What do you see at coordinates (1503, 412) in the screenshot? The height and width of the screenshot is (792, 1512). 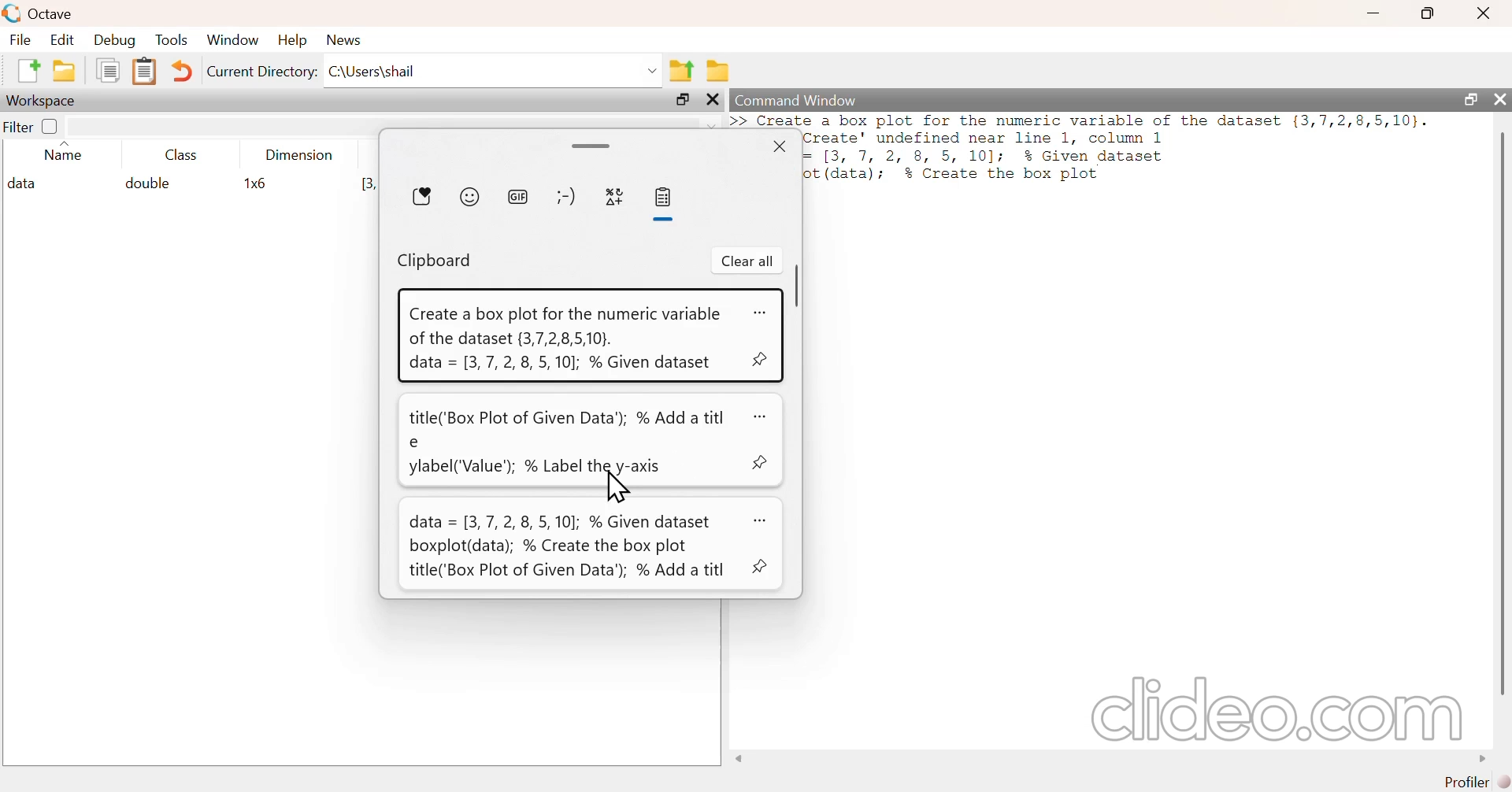 I see `scrollbar` at bounding box center [1503, 412].